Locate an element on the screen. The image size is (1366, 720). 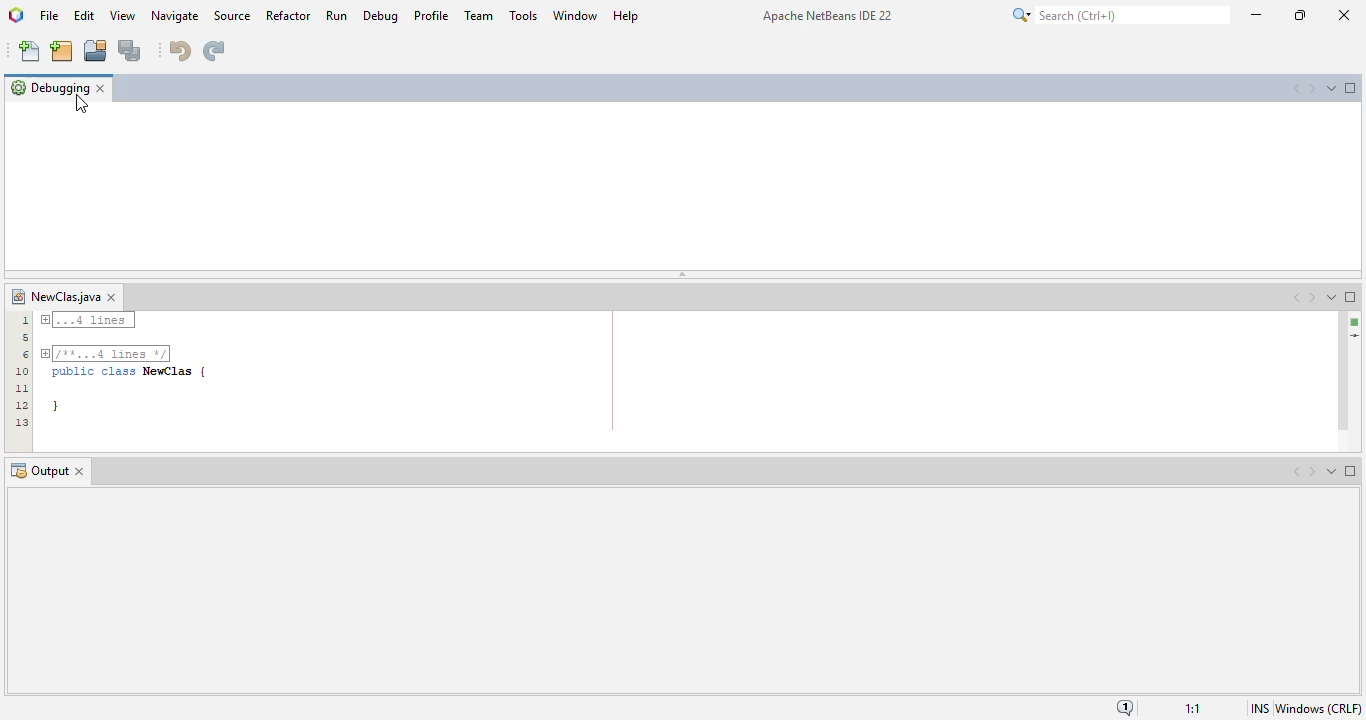
undo is located at coordinates (178, 49).